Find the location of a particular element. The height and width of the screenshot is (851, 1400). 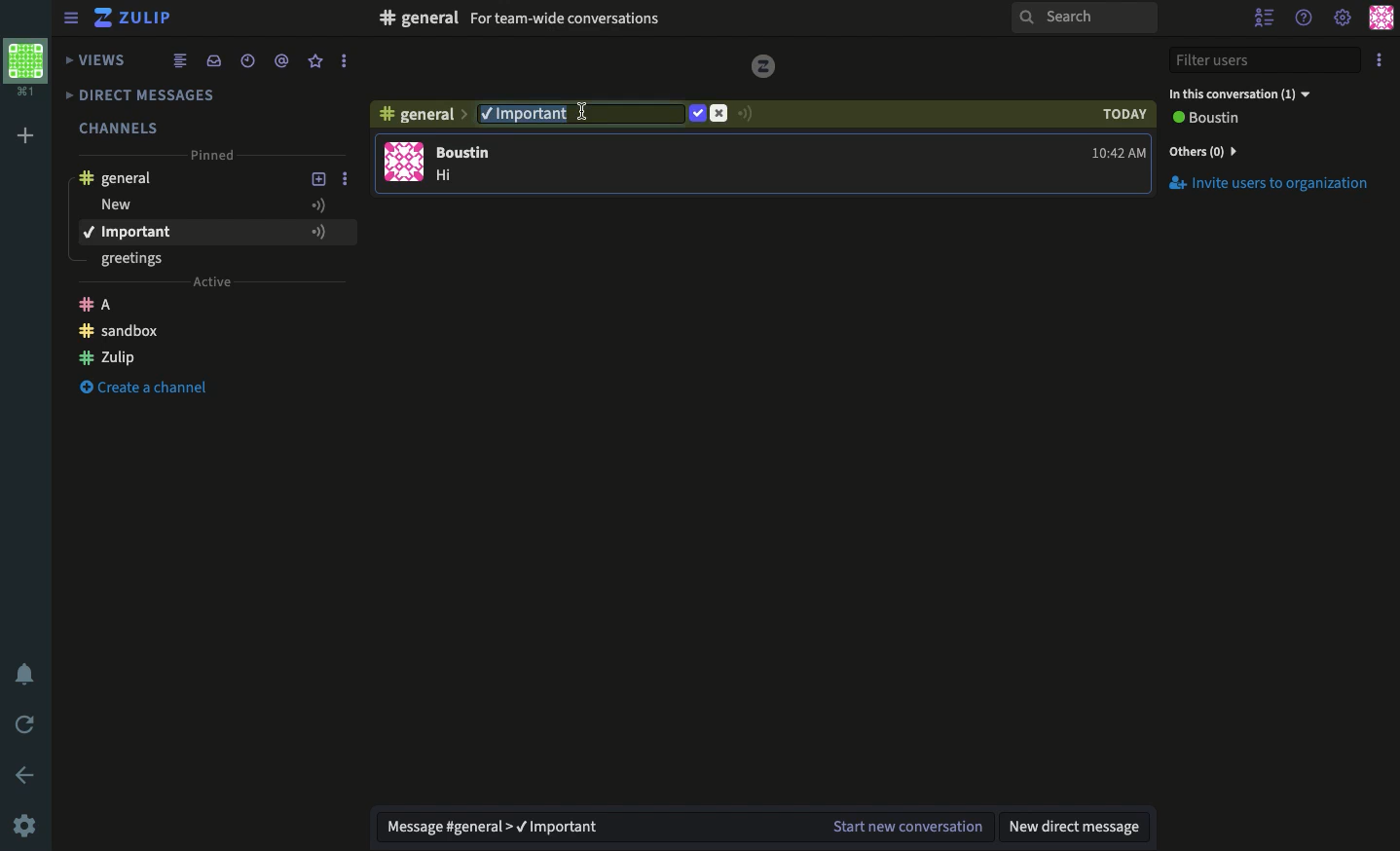

logo is located at coordinates (764, 66).